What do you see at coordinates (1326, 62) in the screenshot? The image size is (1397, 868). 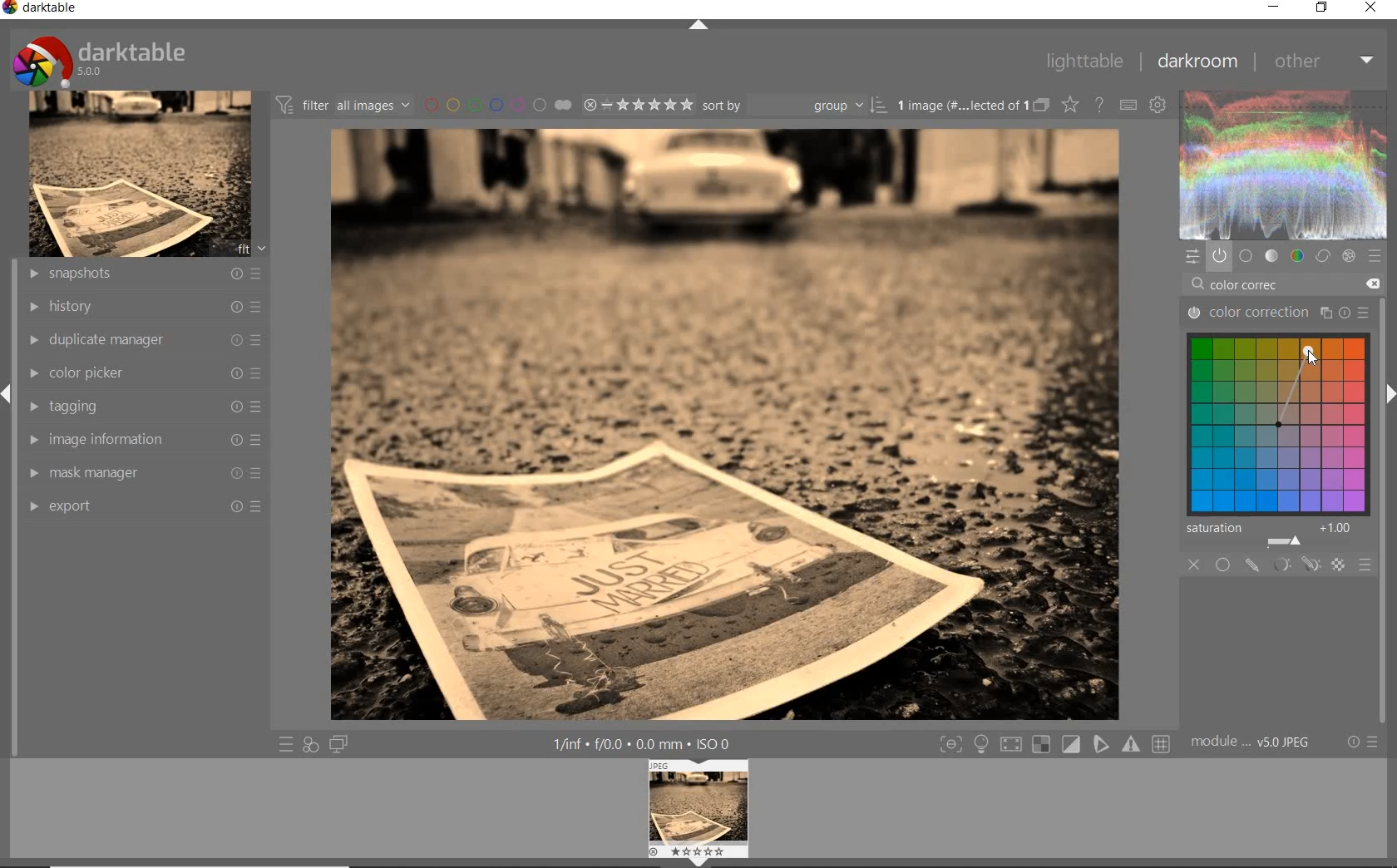 I see `other` at bounding box center [1326, 62].